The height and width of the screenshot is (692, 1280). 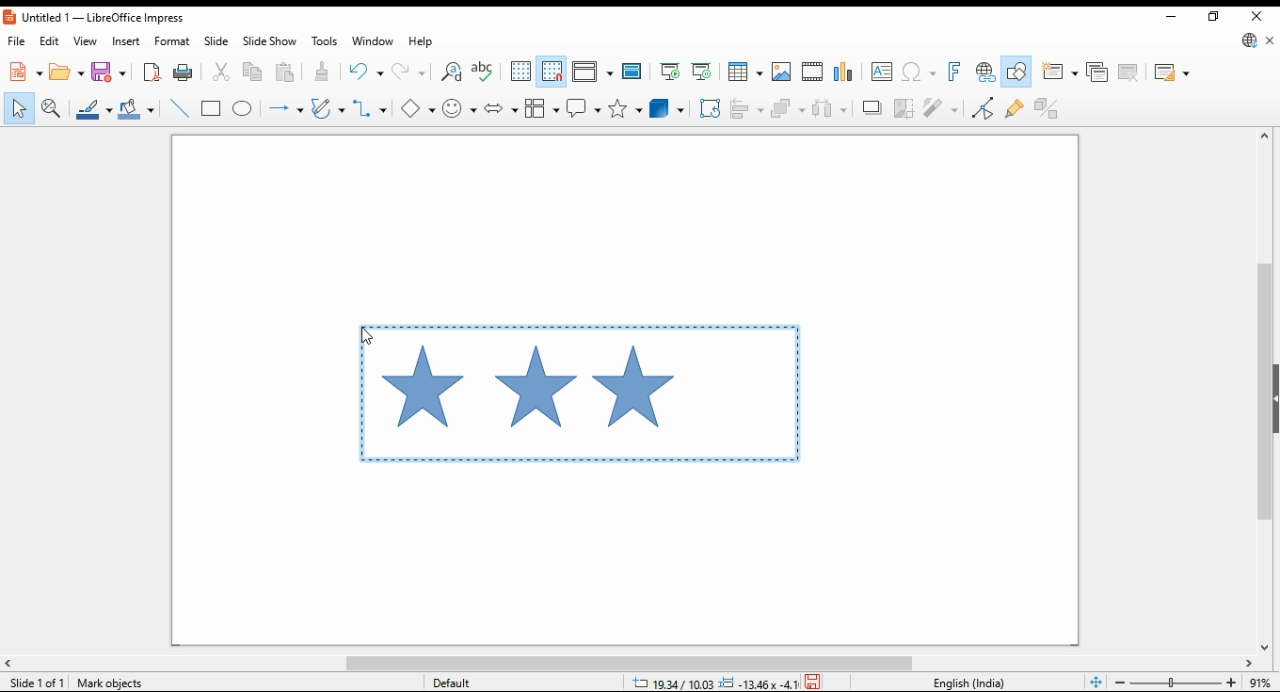 What do you see at coordinates (40, 680) in the screenshot?
I see `slide info` at bounding box center [40, 680].